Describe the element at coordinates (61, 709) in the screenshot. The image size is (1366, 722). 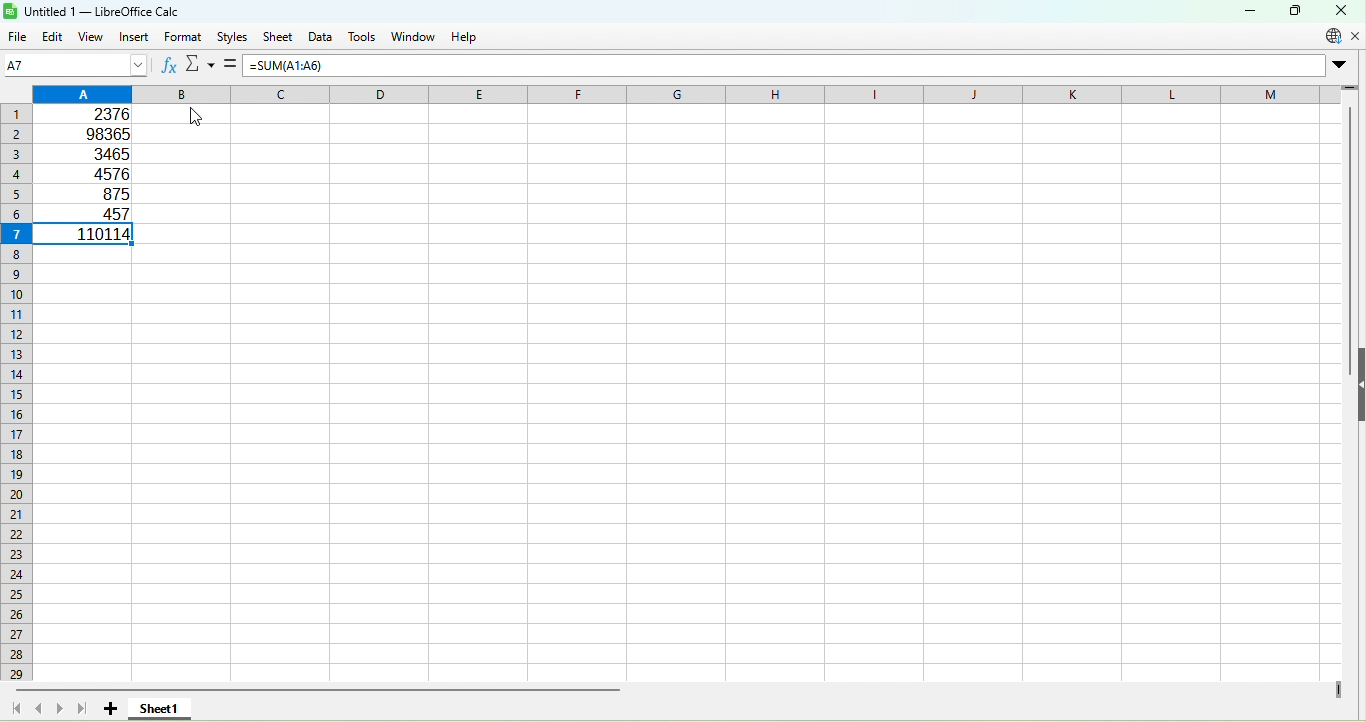
I see `Scroll to next sheet` at that location.